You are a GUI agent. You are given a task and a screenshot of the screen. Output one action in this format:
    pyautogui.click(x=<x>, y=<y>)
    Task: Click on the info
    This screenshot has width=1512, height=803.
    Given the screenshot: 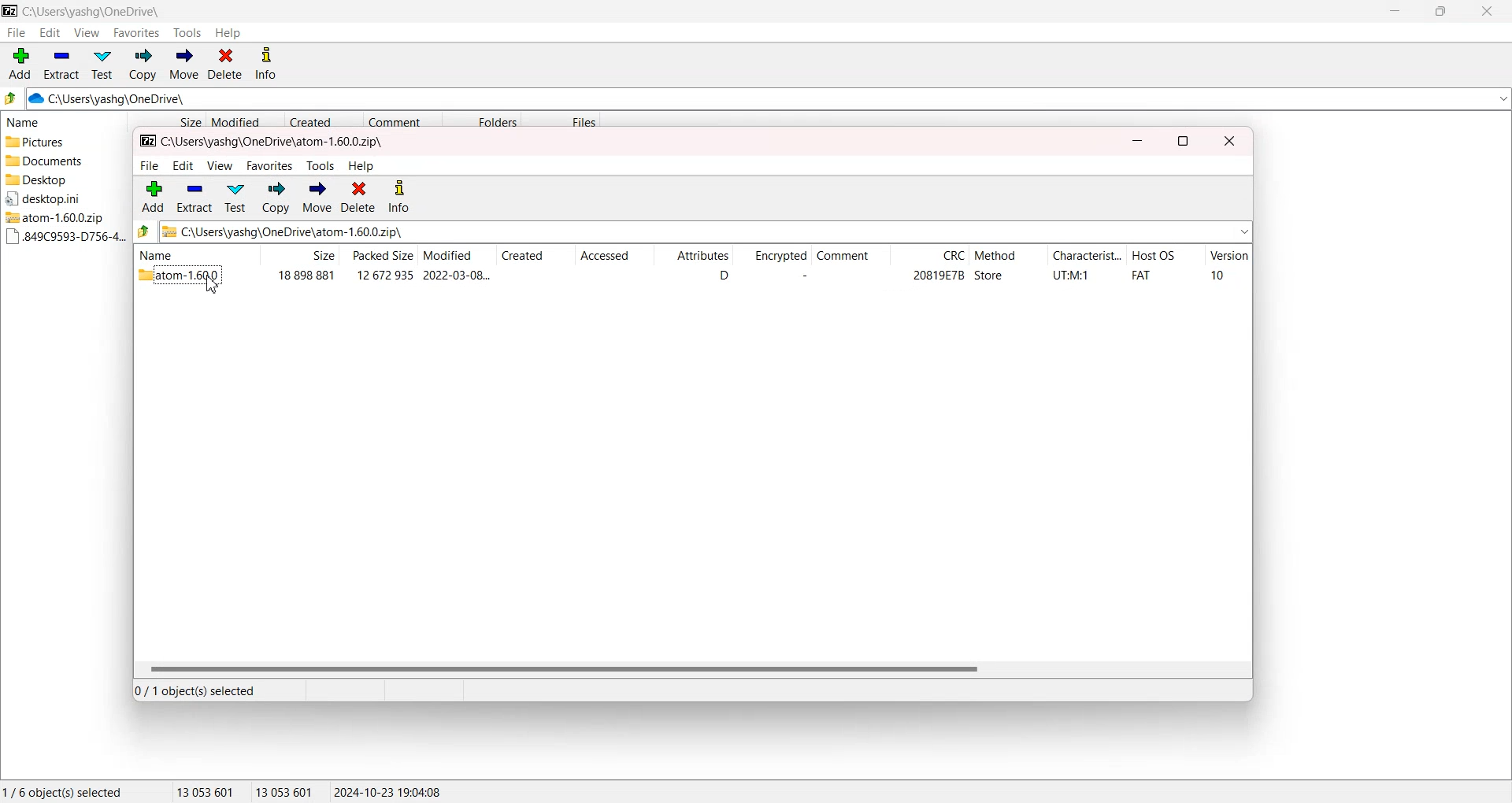 What is the action you would take?
    pyautogui.click(x=399, y=198)
    